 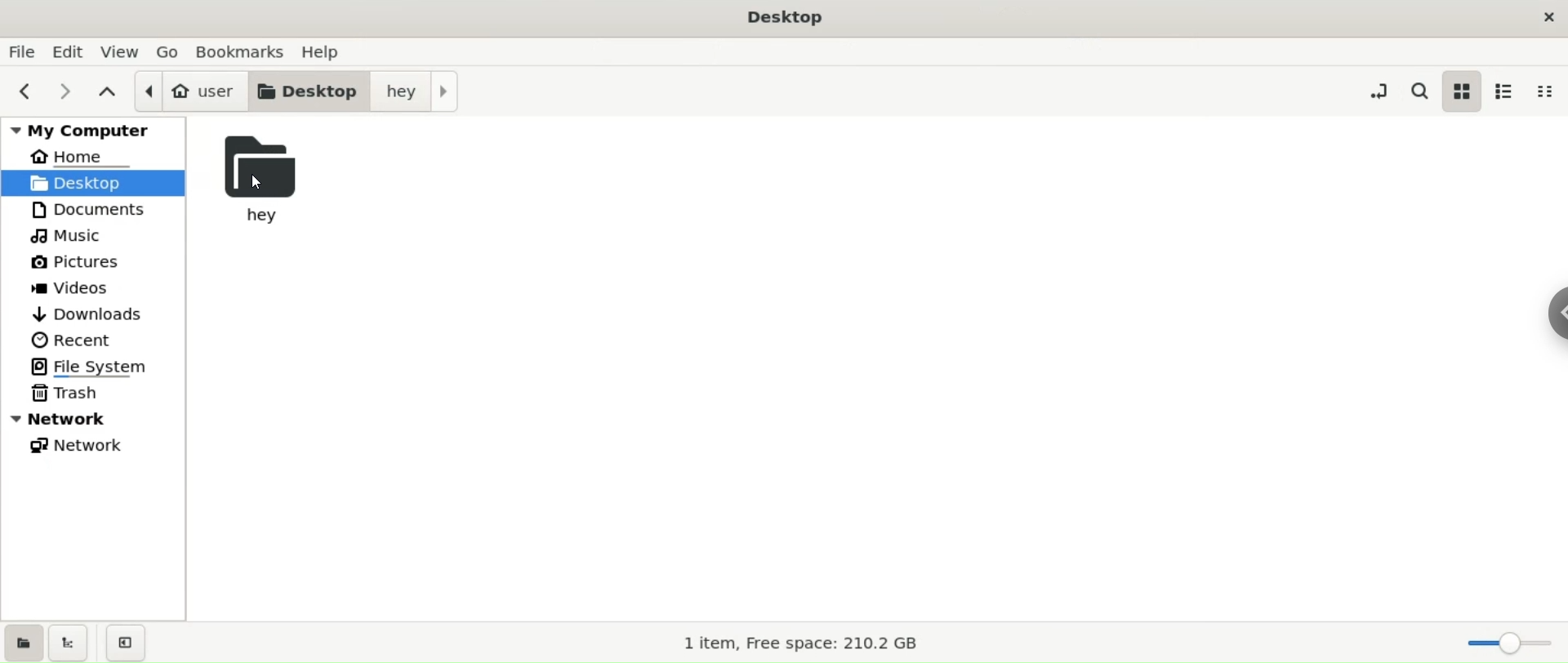 I want to click on videos, so click(x=92, y=287).